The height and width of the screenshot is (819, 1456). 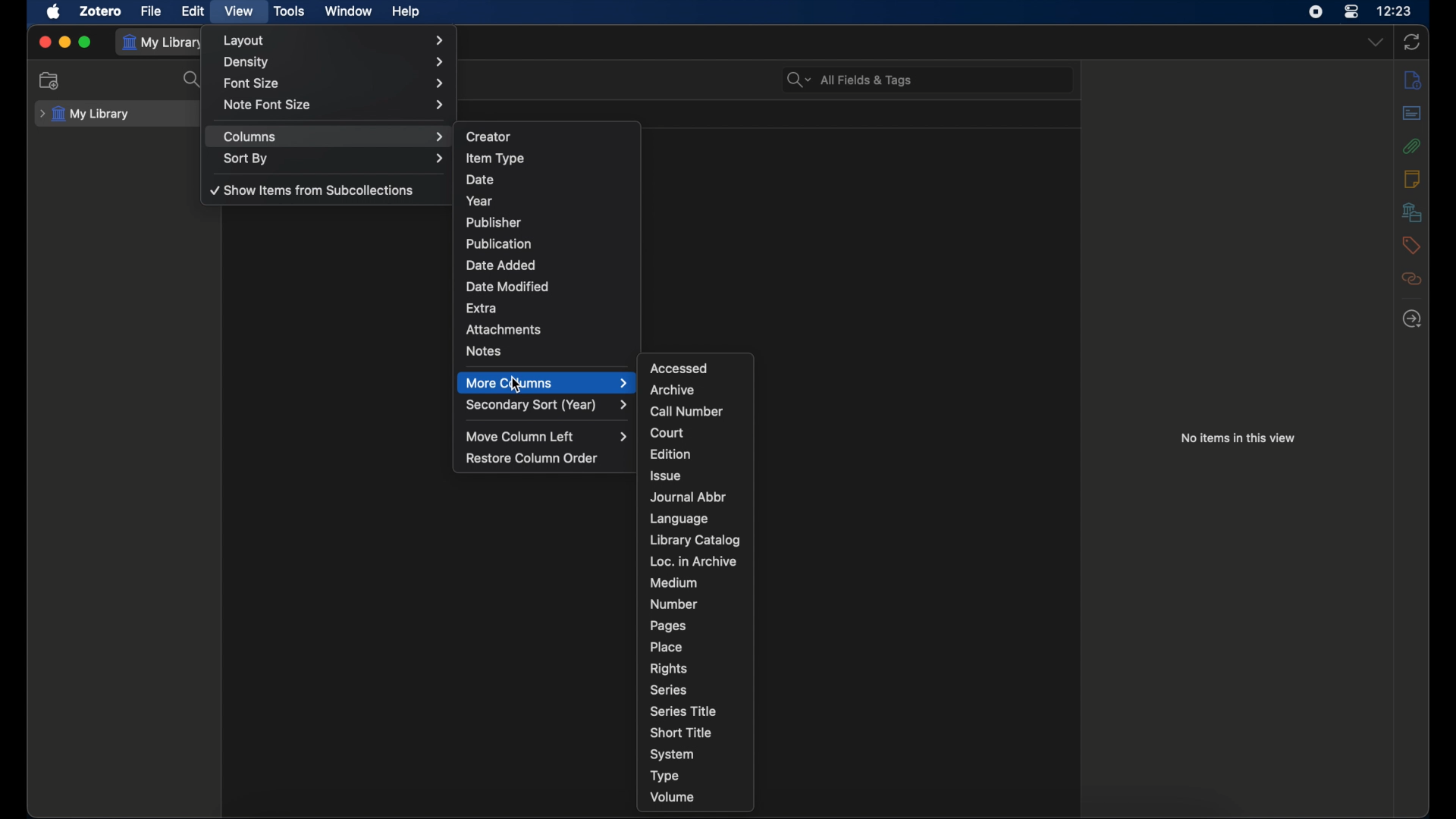 I want to click on language, so click(x=679, y=519).